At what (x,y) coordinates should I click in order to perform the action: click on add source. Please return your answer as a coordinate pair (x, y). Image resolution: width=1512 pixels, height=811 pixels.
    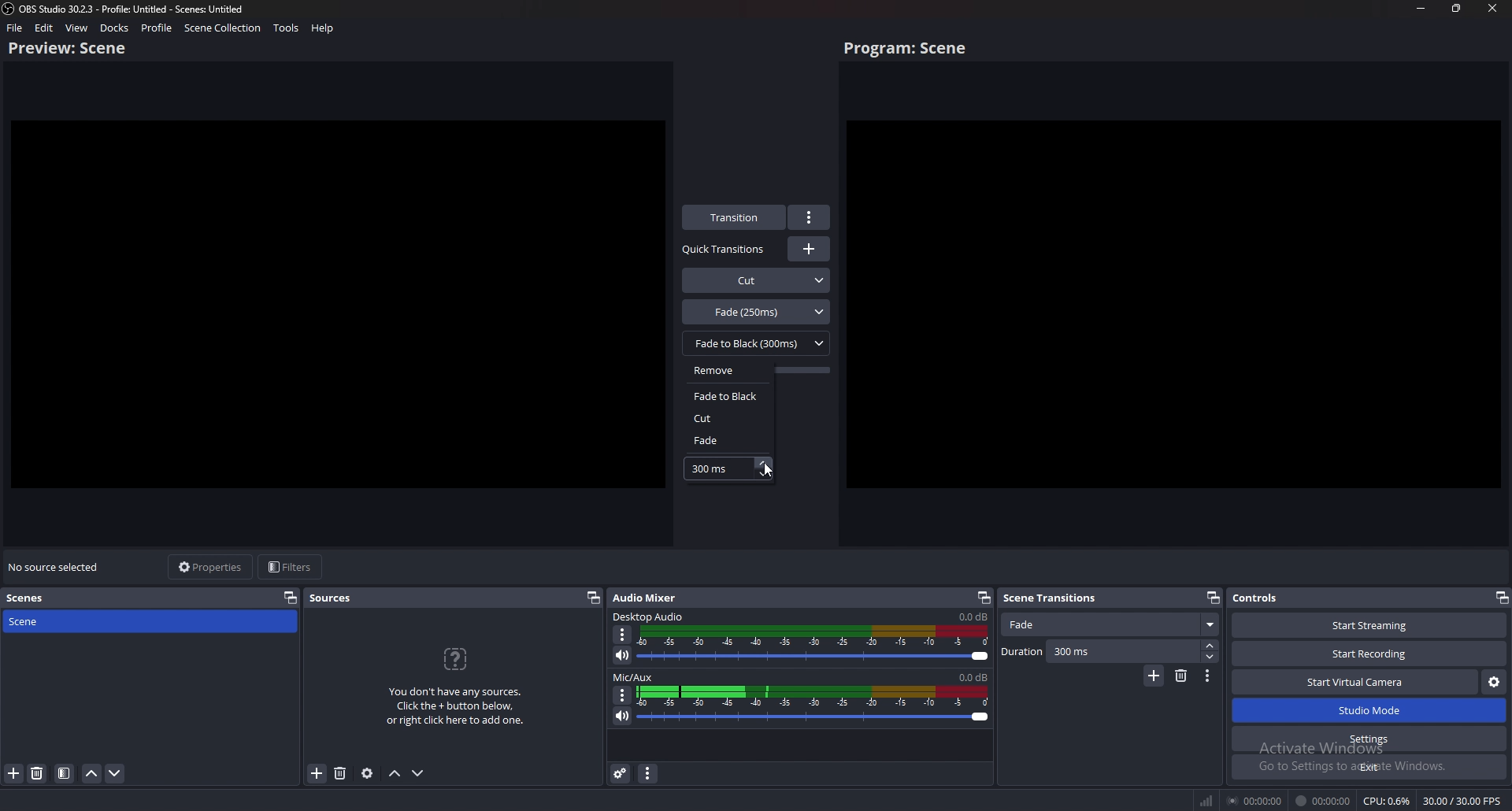
    Looking at the image, I should click on (317, 773).